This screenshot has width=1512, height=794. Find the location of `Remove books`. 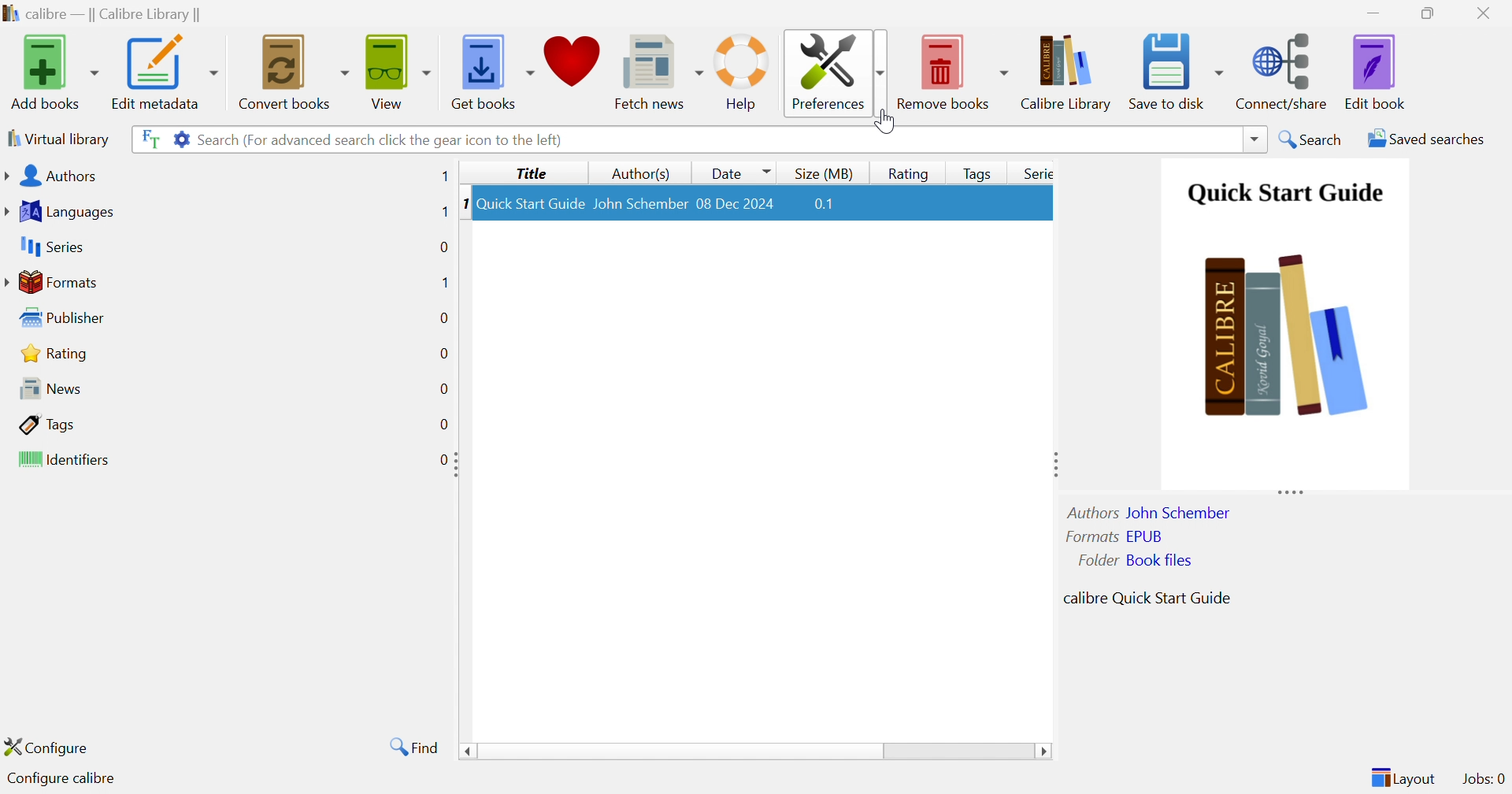

Remove books is located at coordinates (954, 69).